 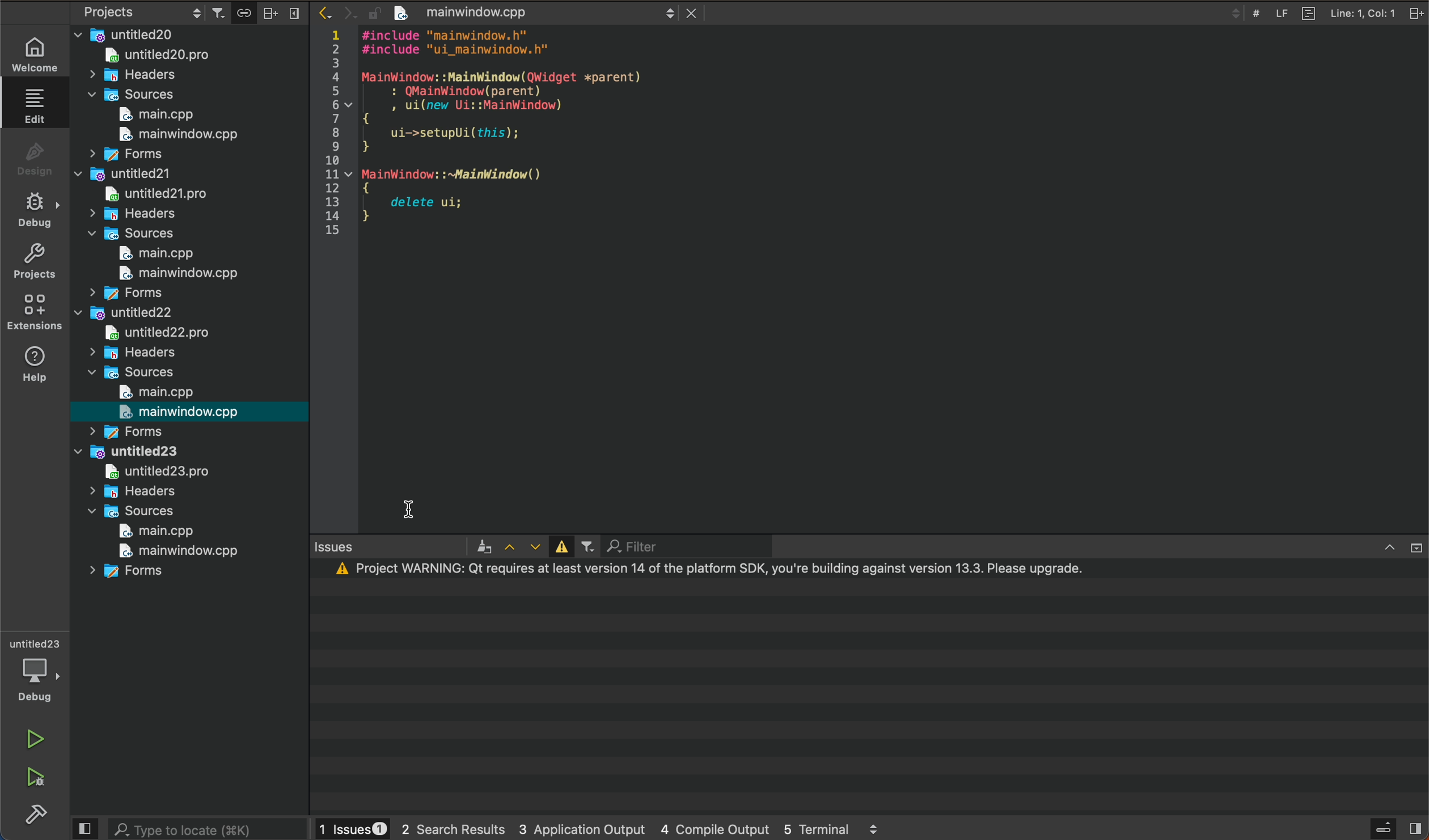 I want to click on edit, so click(x=36, y=109).